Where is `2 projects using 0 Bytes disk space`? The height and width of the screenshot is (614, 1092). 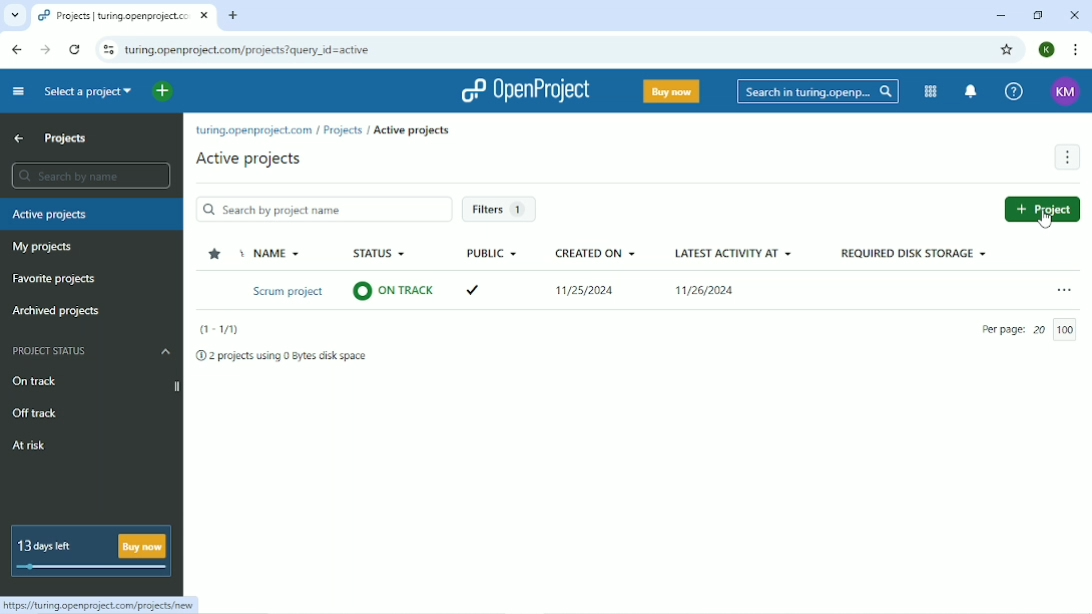 2 projects using 0 Bytes disk space is located at coordinates (284, 356).